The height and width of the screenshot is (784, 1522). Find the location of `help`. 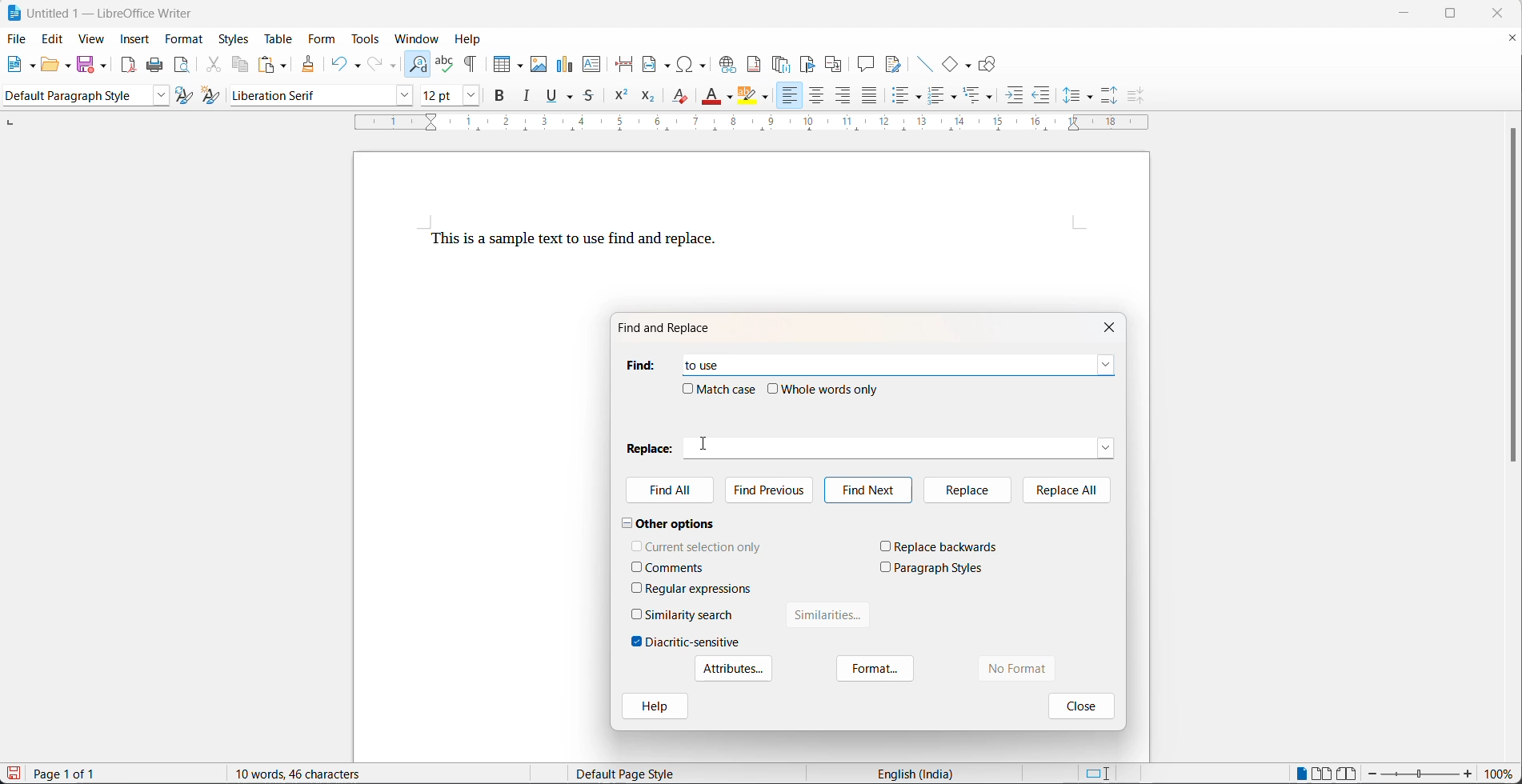

help is located at coordinates (473, 38).